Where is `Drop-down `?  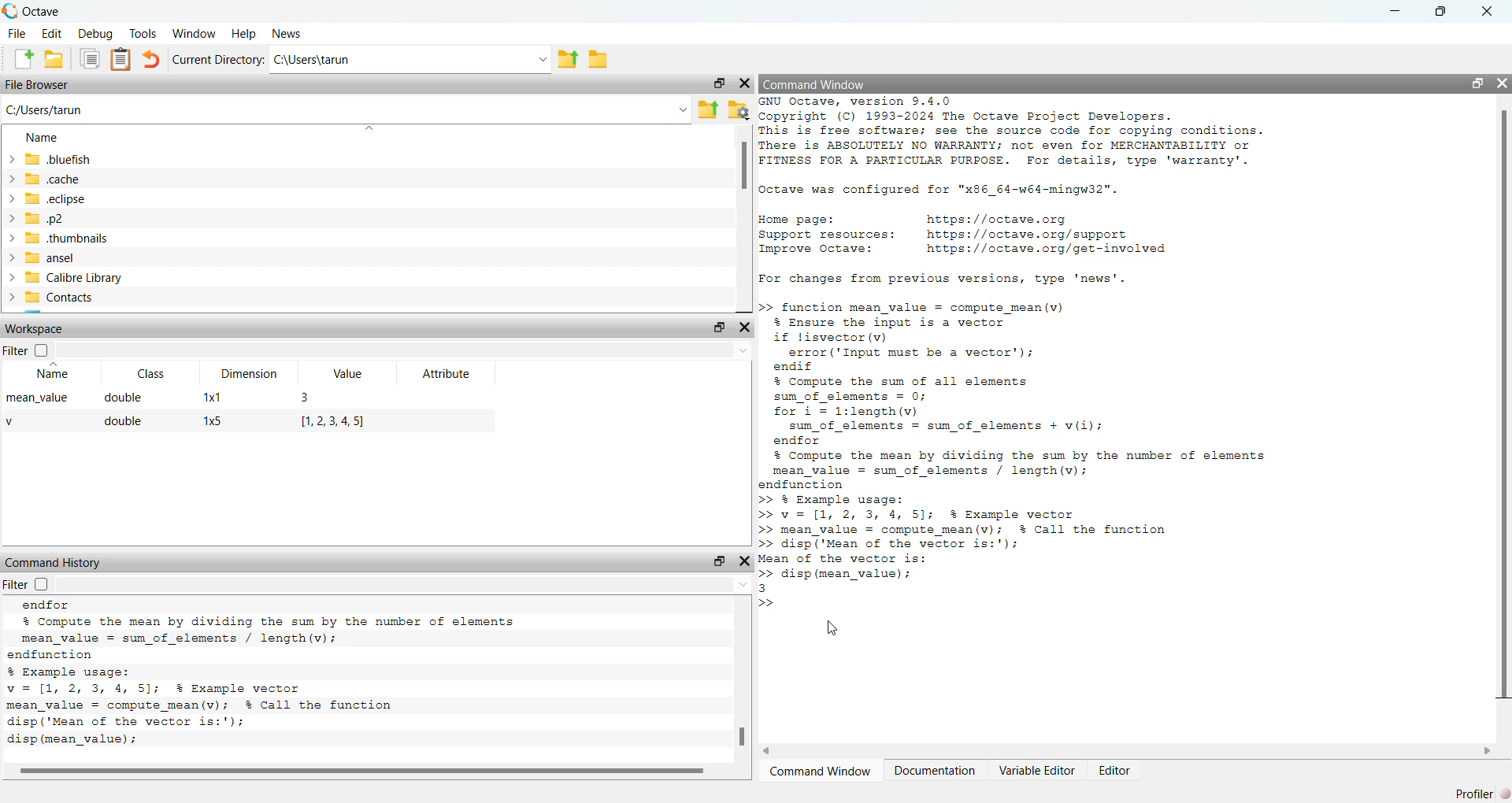 Drop-down  is located at coordinates (683, 109).